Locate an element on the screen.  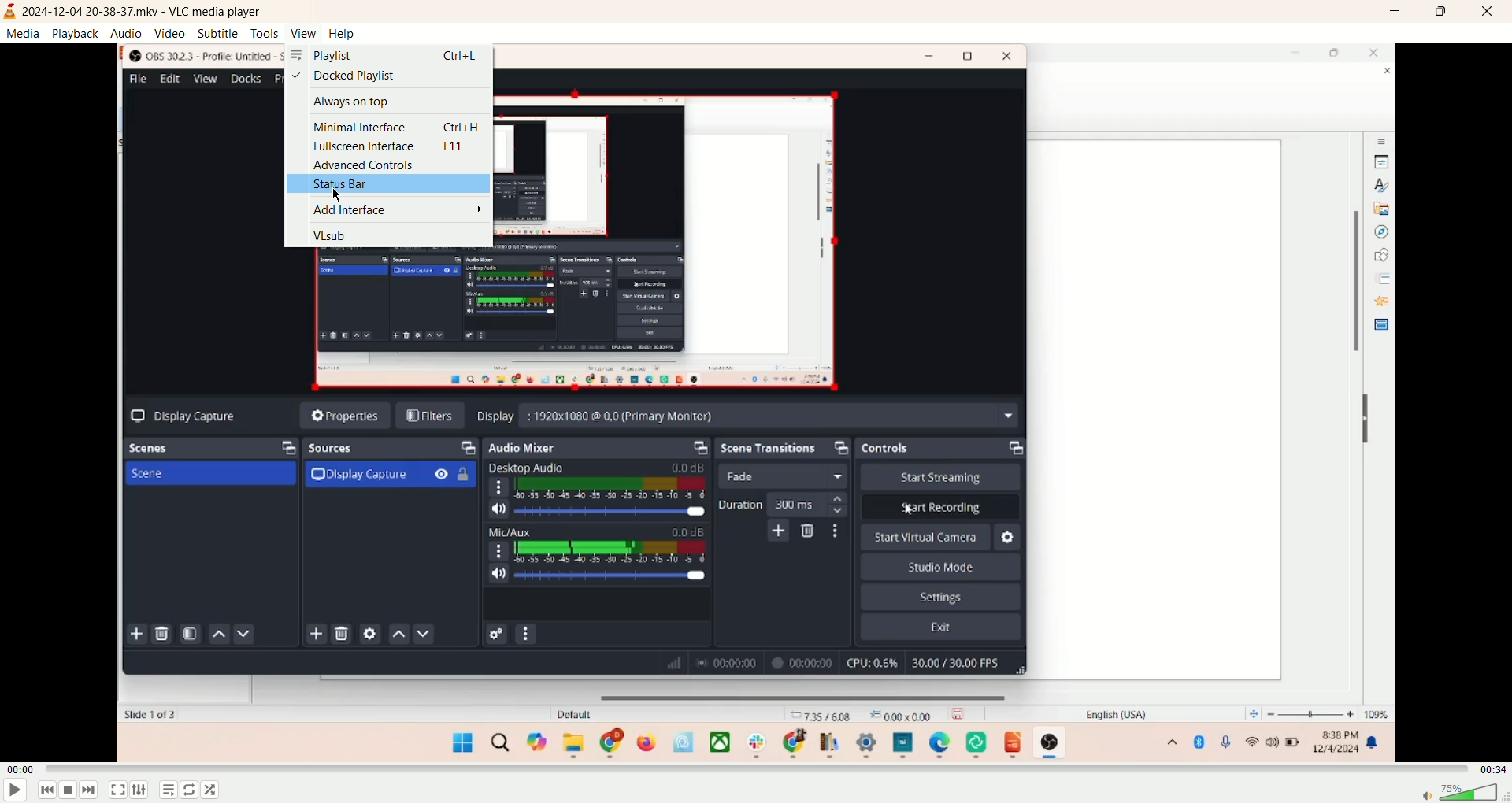
stop is located at coordinates (70, 792).